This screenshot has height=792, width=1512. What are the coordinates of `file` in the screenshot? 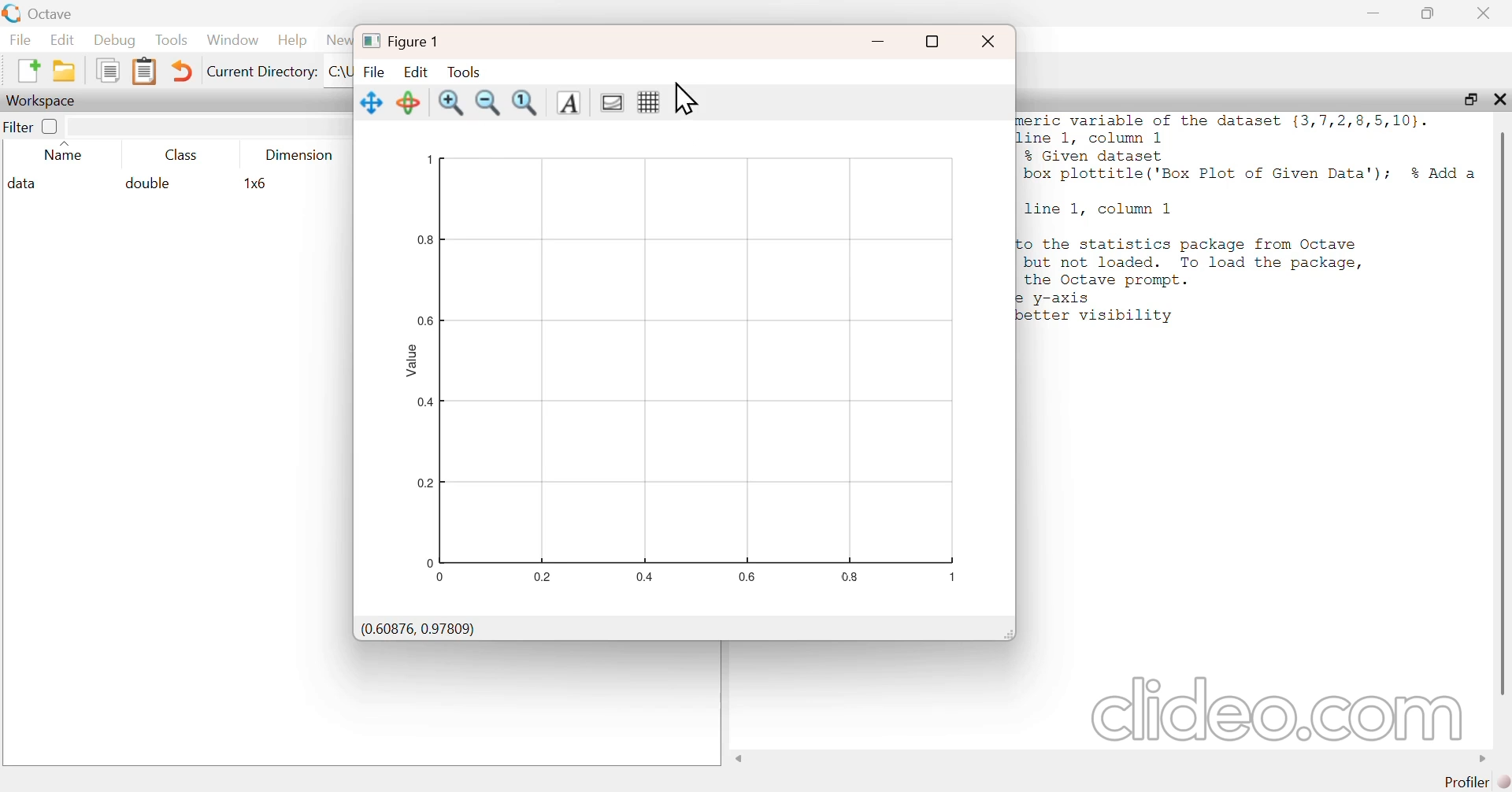 It's located at (376, 70).